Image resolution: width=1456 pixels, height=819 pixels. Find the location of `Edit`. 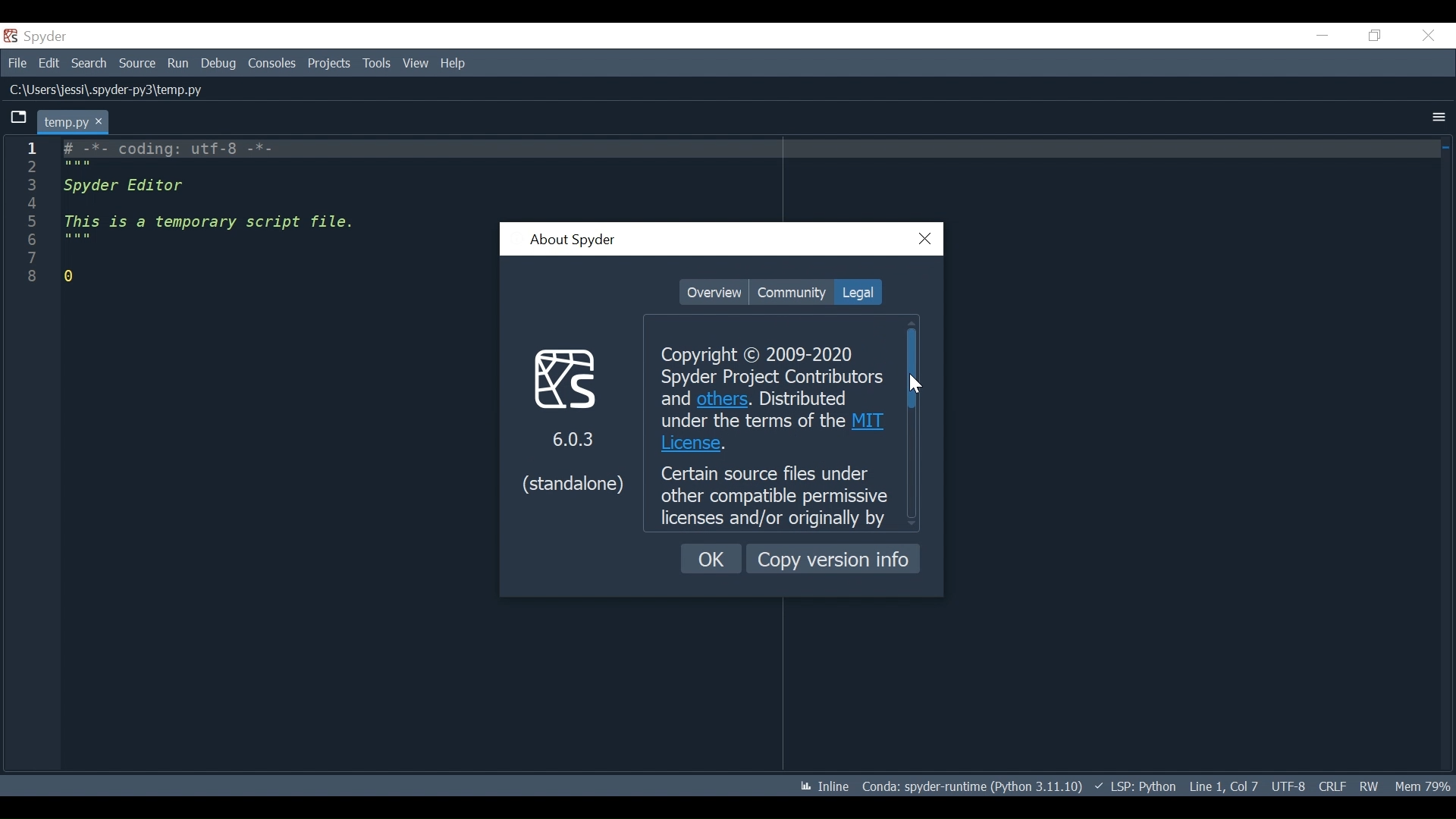

Edit is located at coordinates (49, 62).